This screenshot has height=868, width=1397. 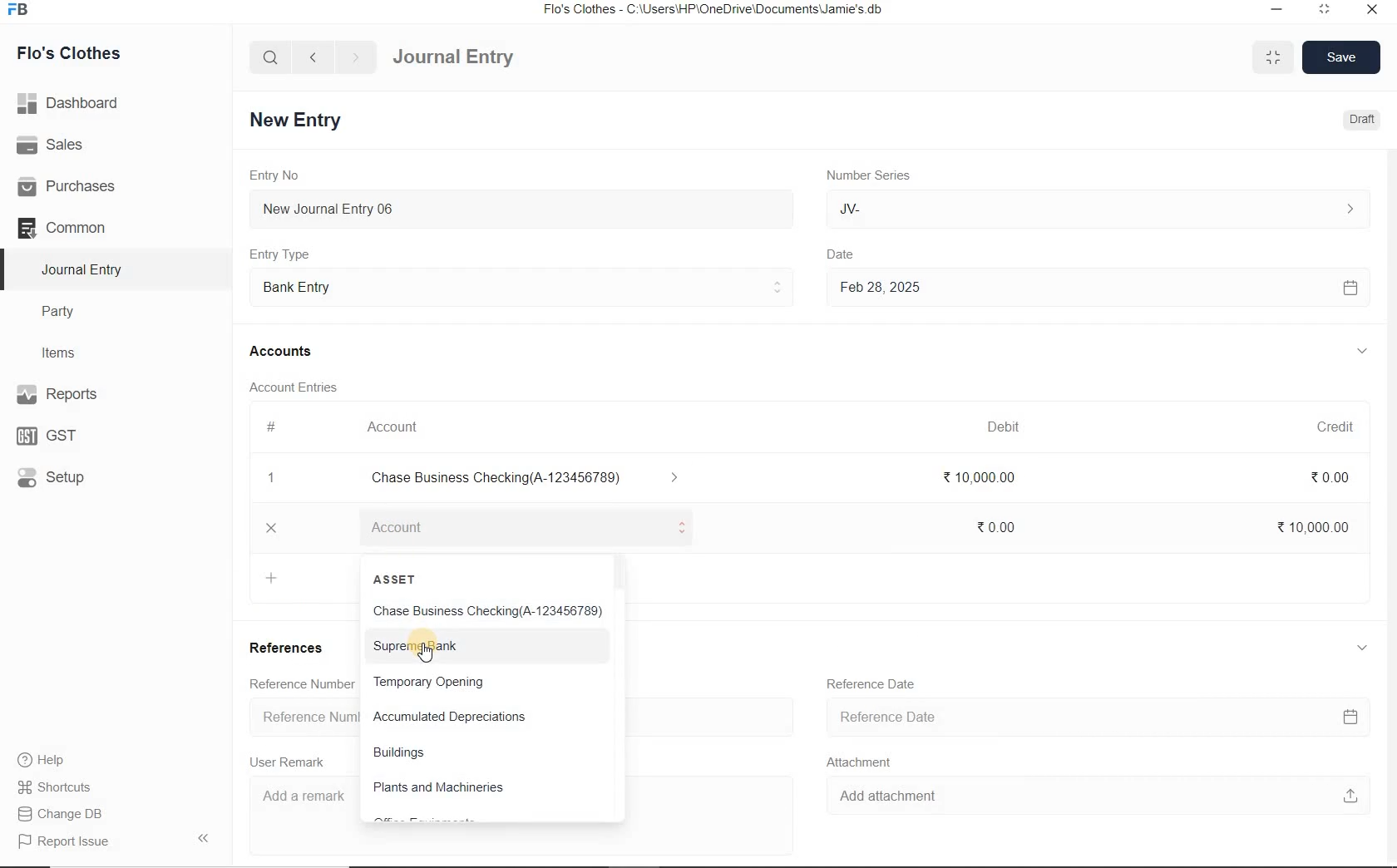 I want to click on Journal Entry, so click(x=483, y=55).